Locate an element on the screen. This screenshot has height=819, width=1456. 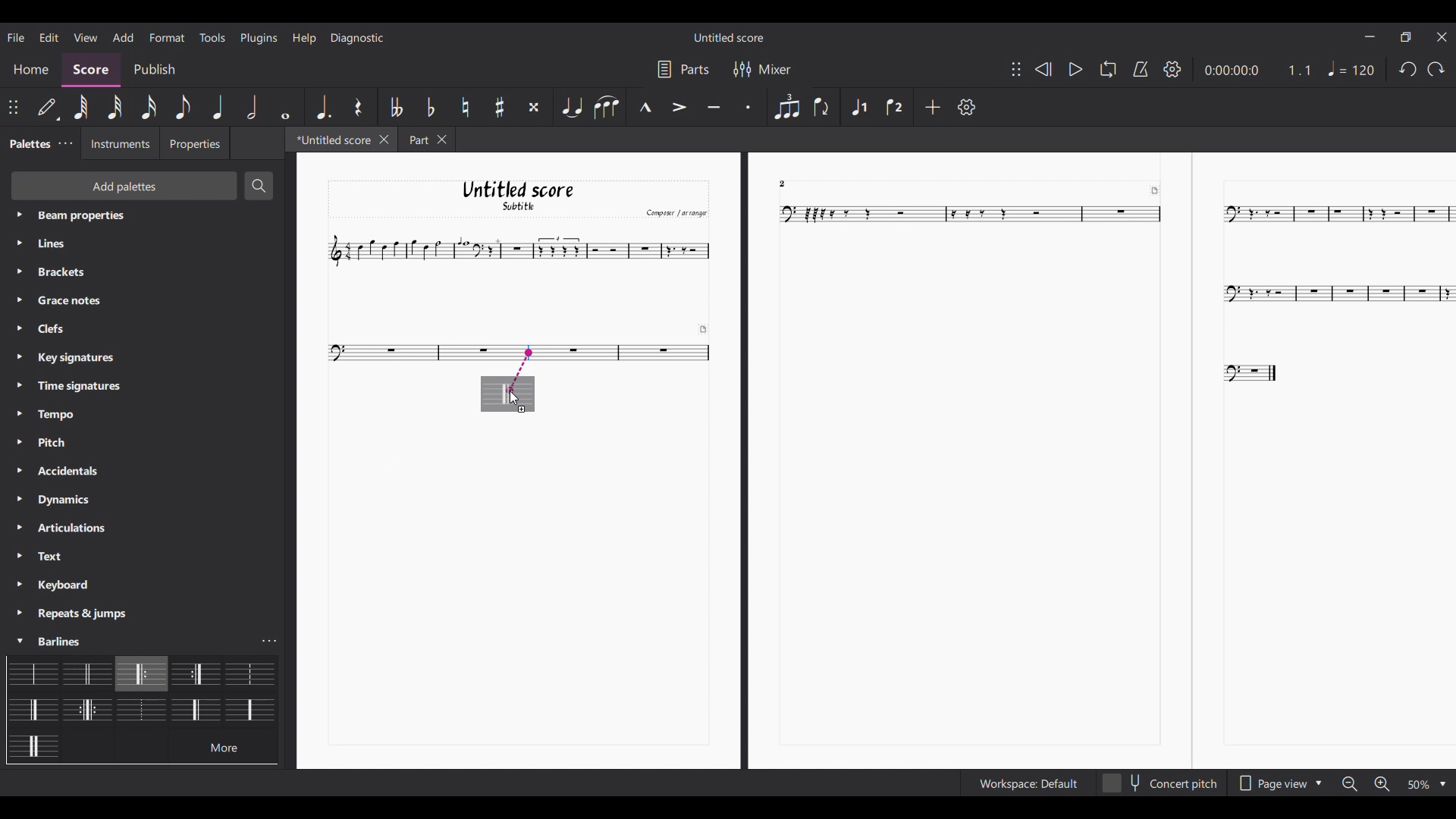
Rest is located at coordinates (359, 107).